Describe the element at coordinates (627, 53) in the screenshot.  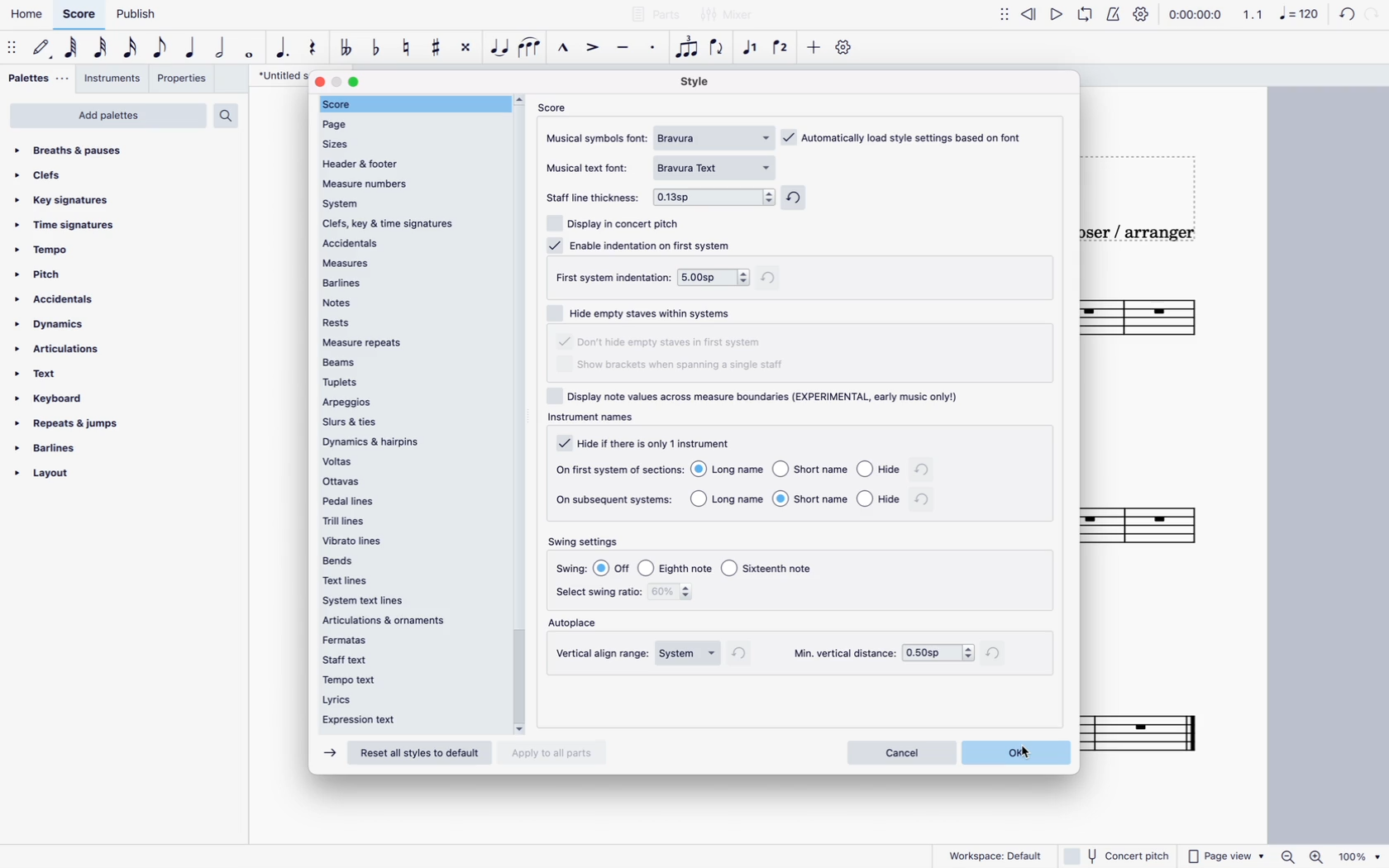
I see `tenuto` at that location.